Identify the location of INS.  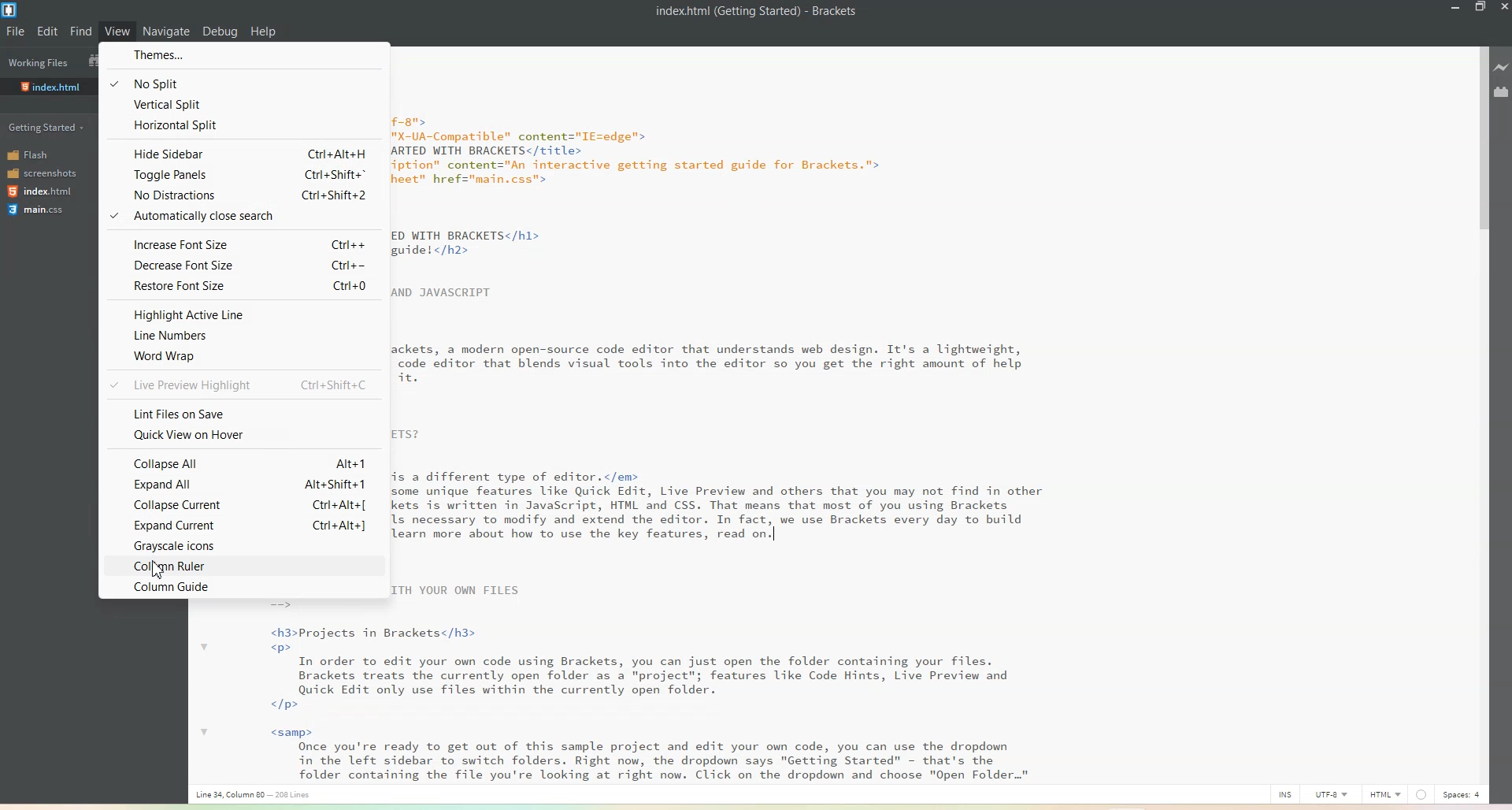
(1280, 794).